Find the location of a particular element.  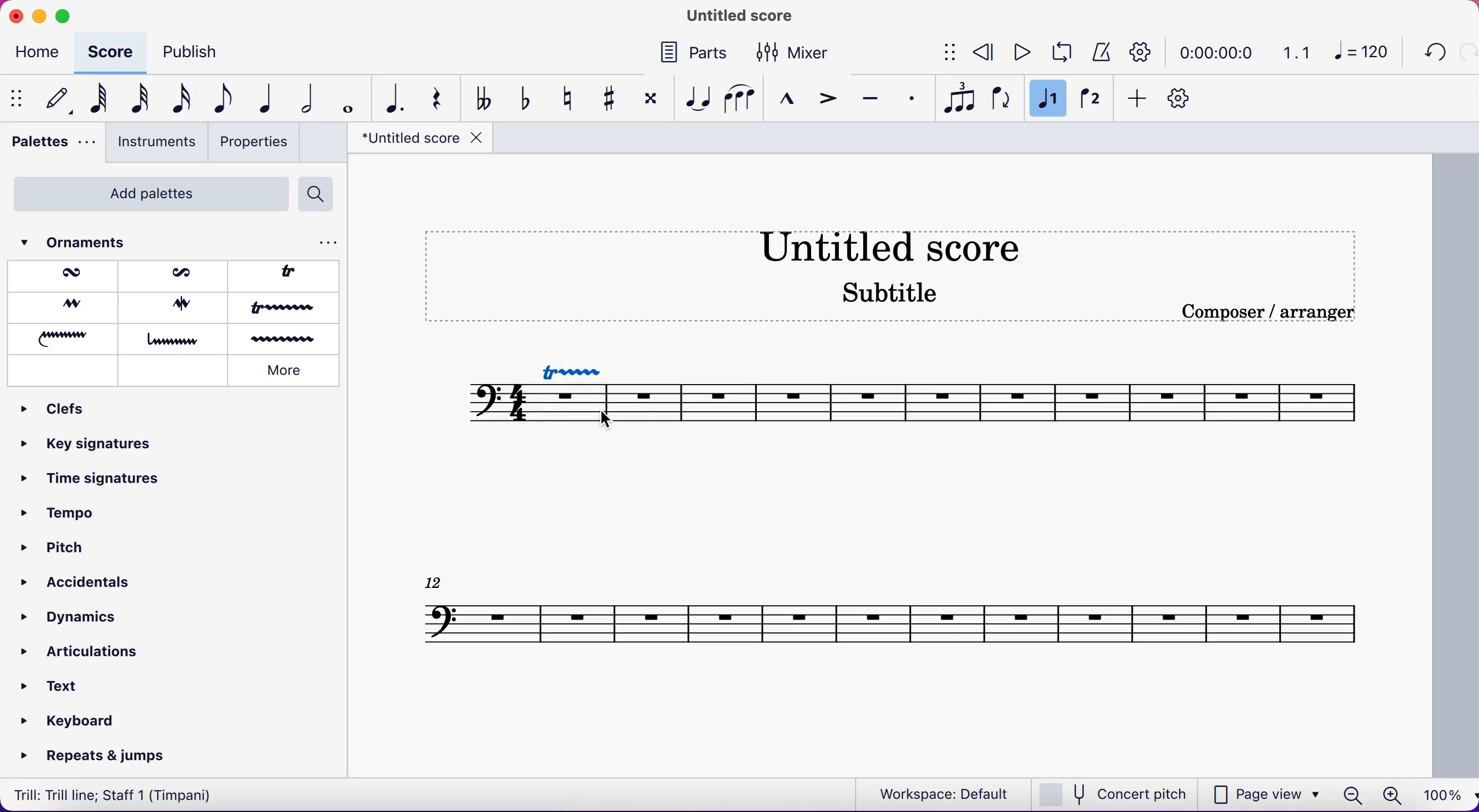

flip direction is located at coordinates (1002, 100).